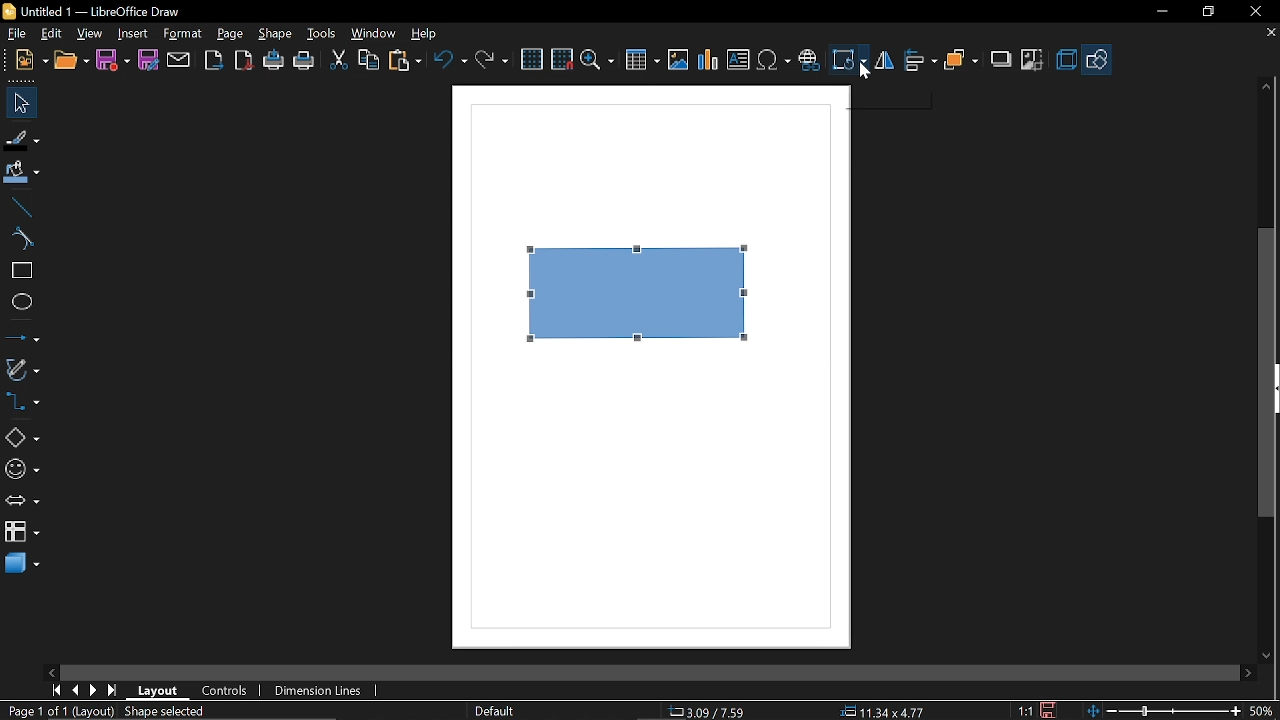  What do you see at coordinates (226, 693) in the screenshot?
I see `controls` at bounding box center [226, 693].